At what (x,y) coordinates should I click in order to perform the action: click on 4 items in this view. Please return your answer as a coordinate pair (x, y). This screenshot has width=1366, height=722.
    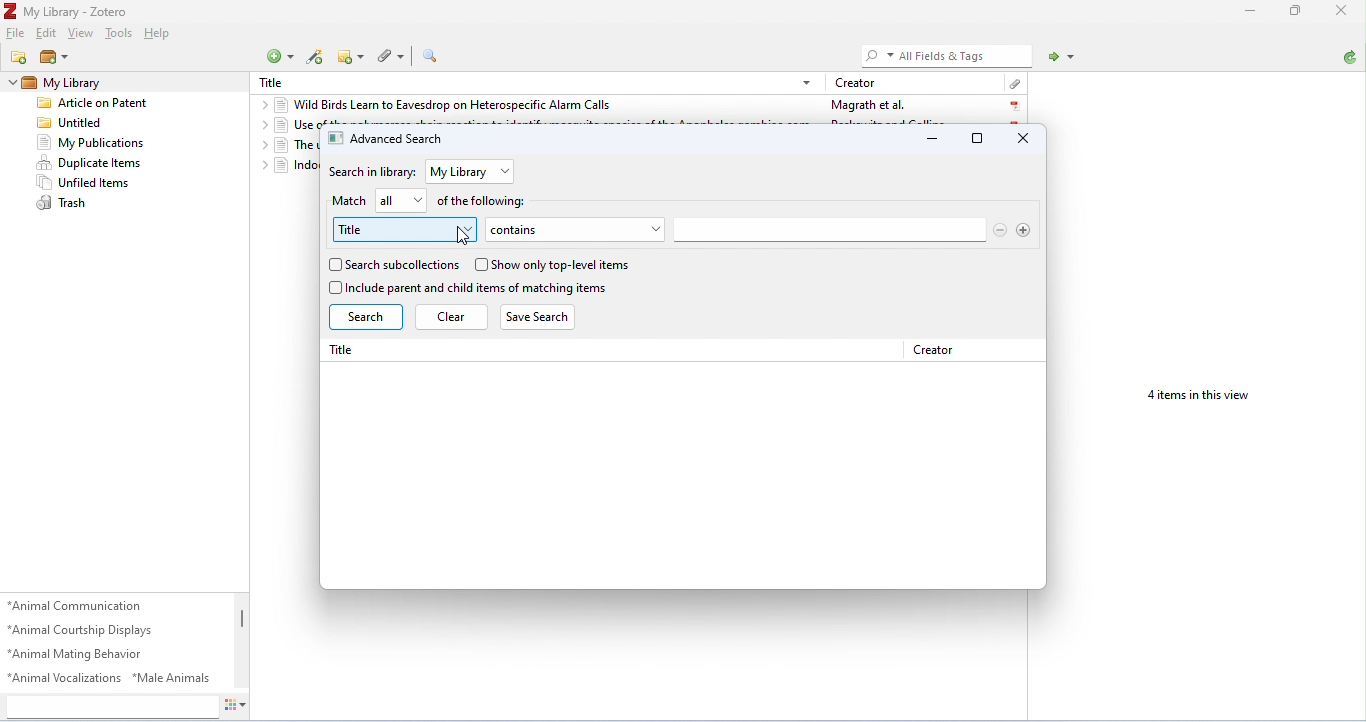
    Looking at the image, I should click on (1195, 397).